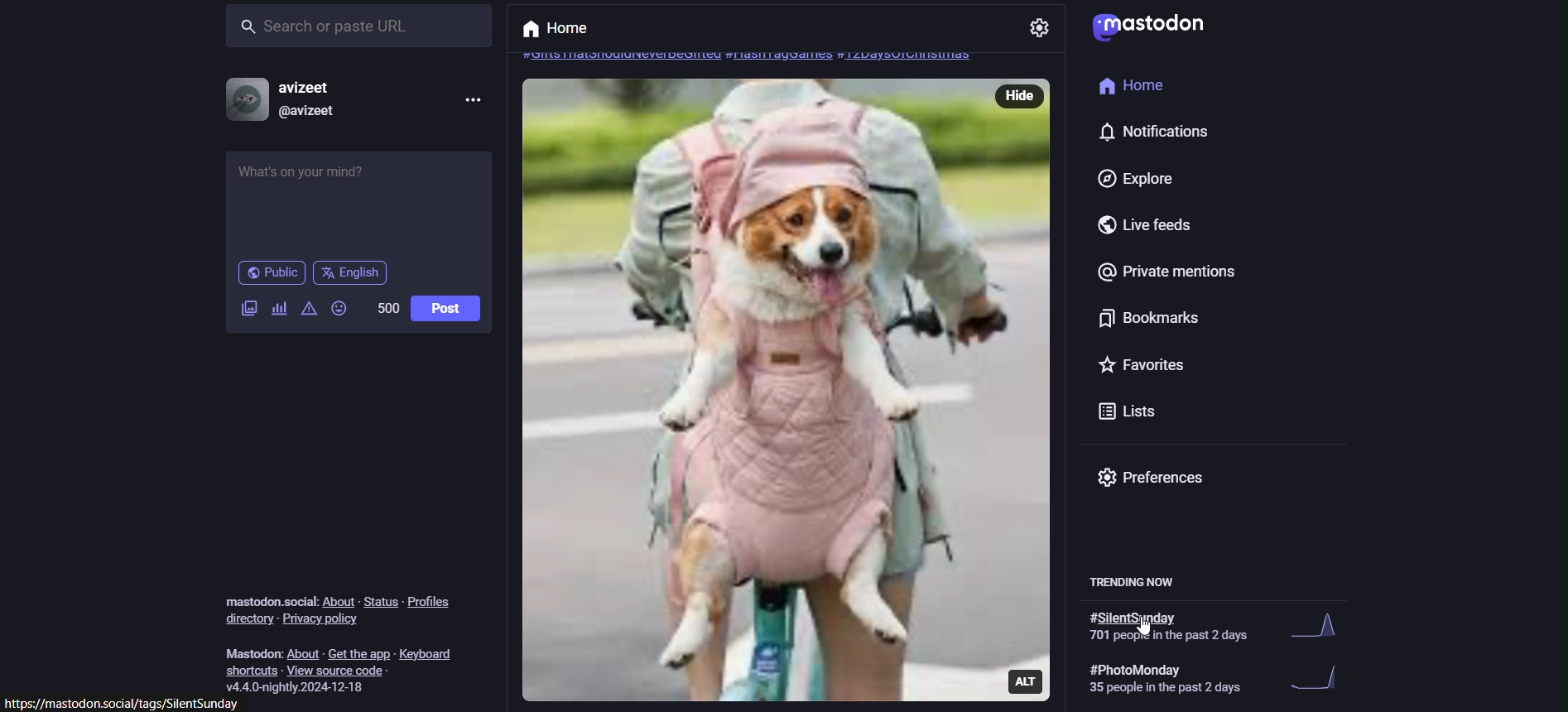  Describe the element at coordinates (1123, 320) in the screenshot. I see `Bookmarks` at that location.